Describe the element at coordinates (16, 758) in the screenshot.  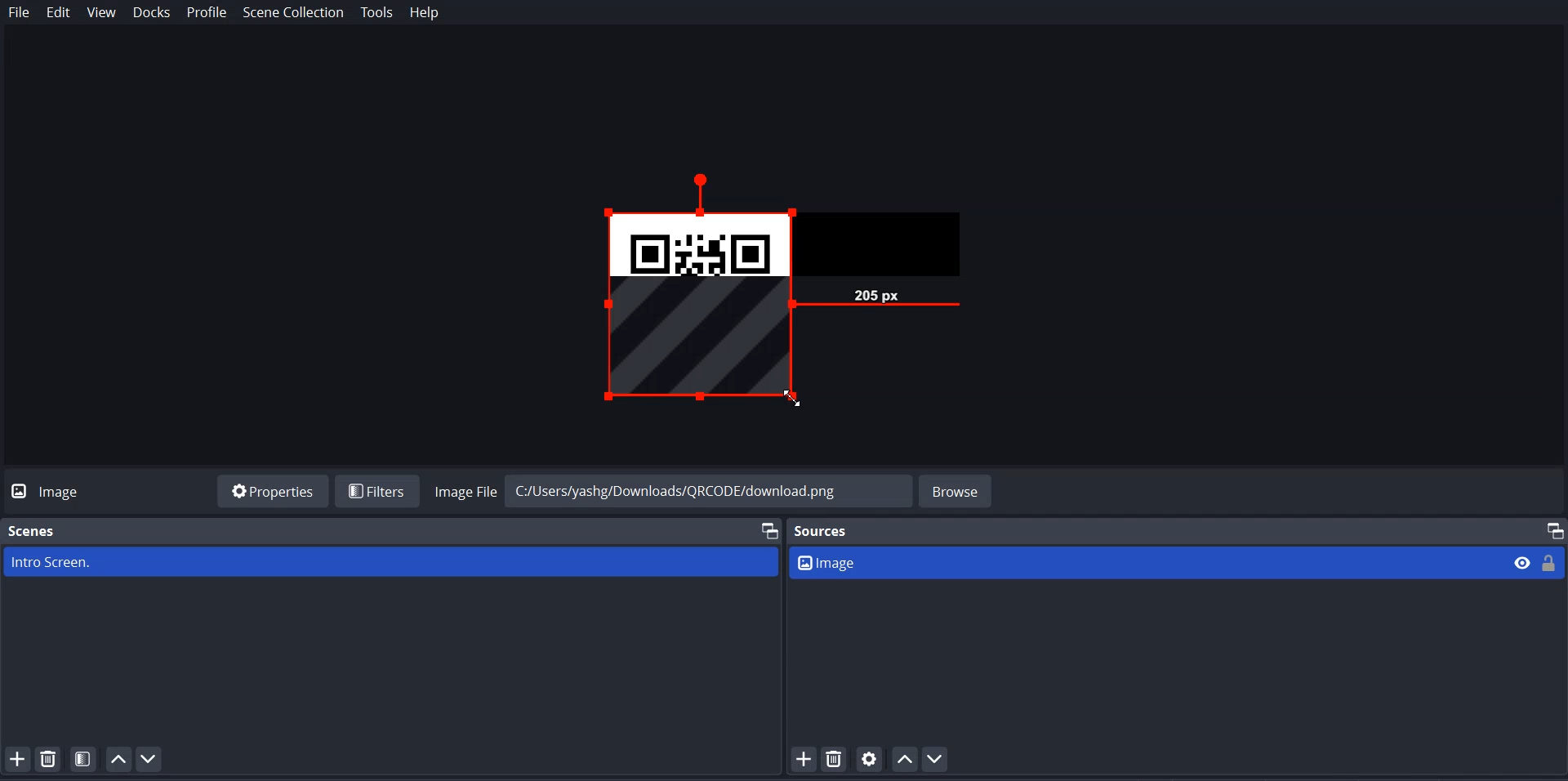
I see `Add Scene` at that location.